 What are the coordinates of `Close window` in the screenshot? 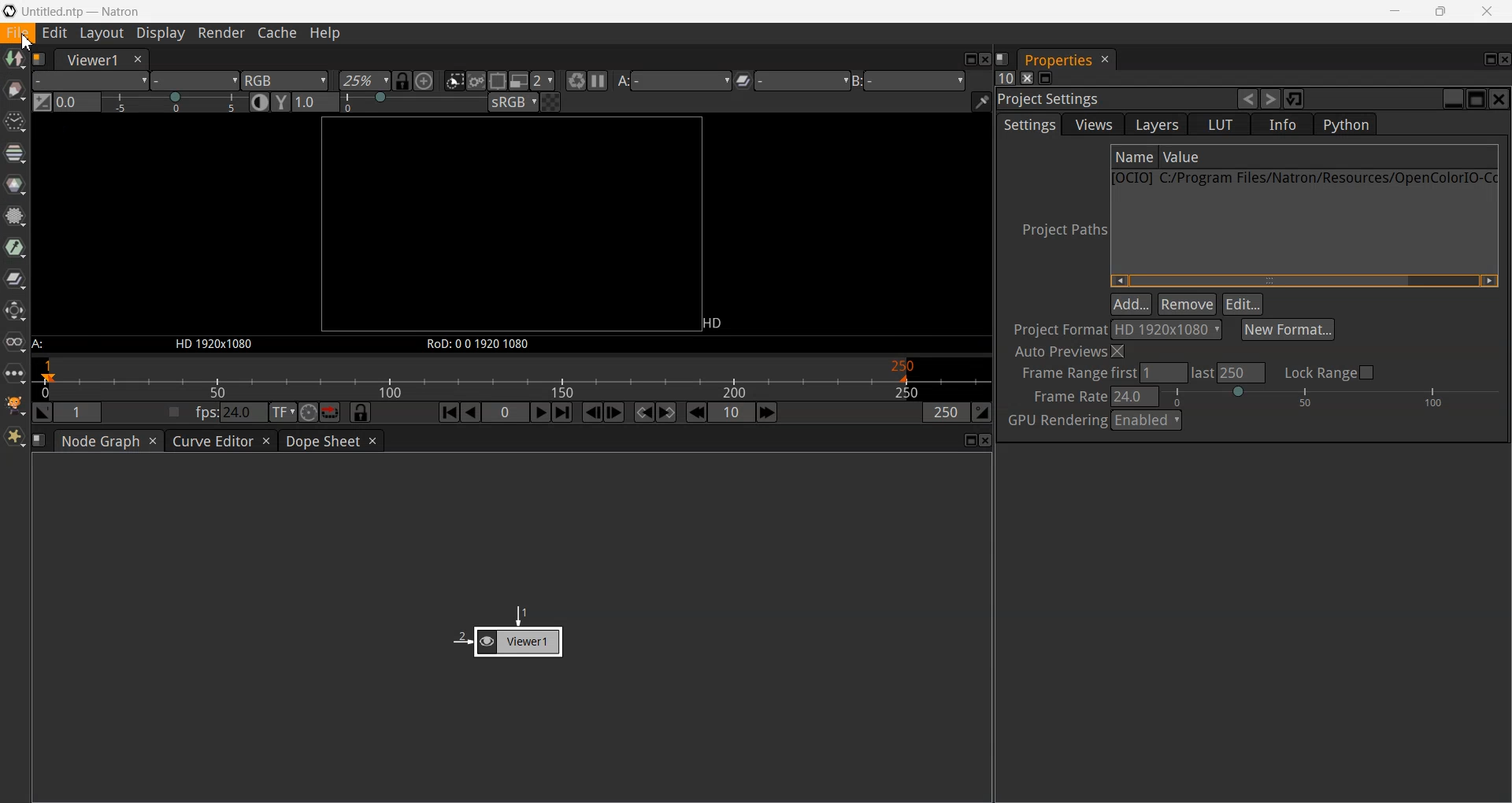 It's located at (136, 60).